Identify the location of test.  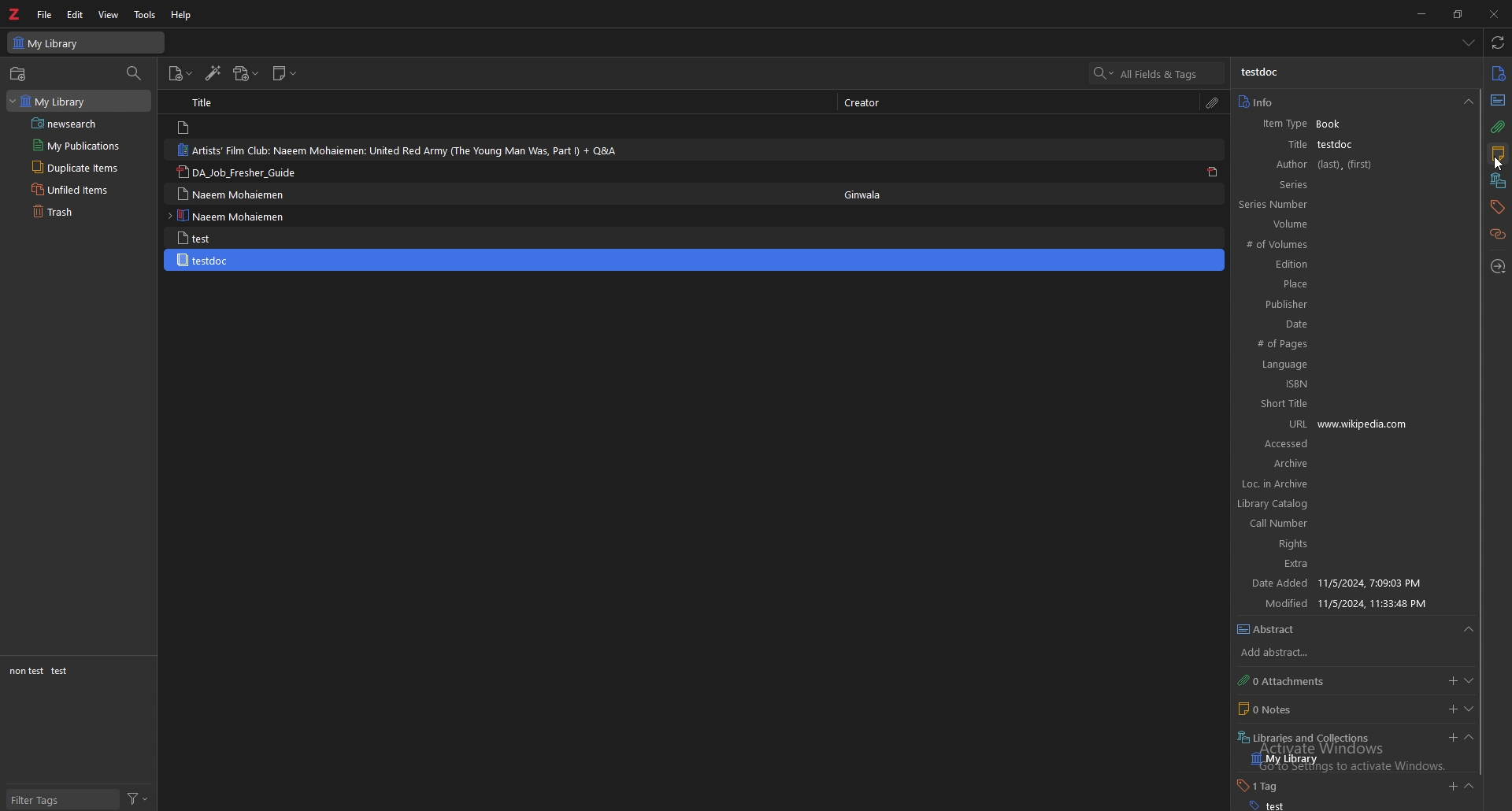
(61, 671).